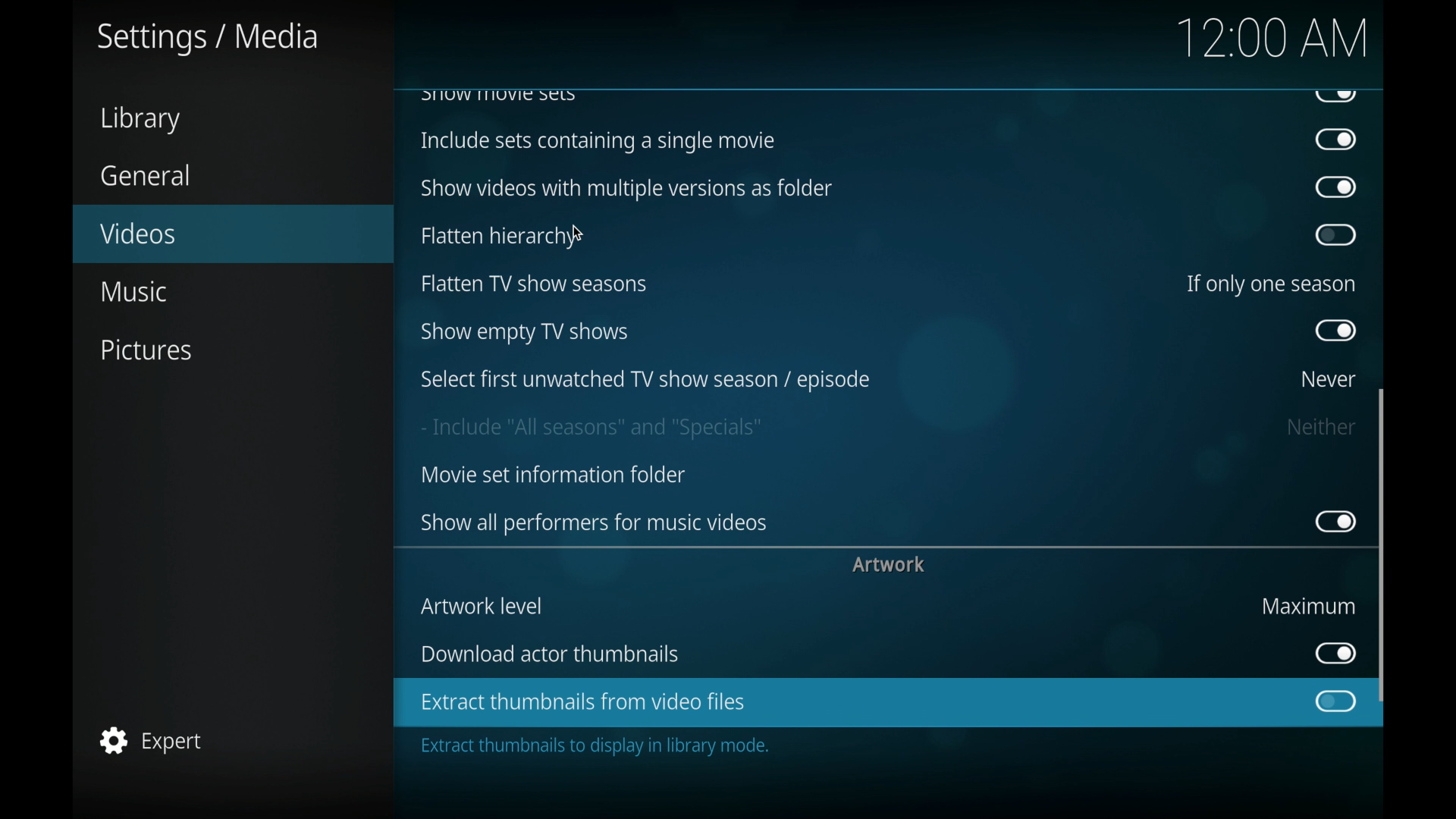 The width and height of the screenshot is (1456, 819). I want to click on 12.00 am, so click(1273, 38).